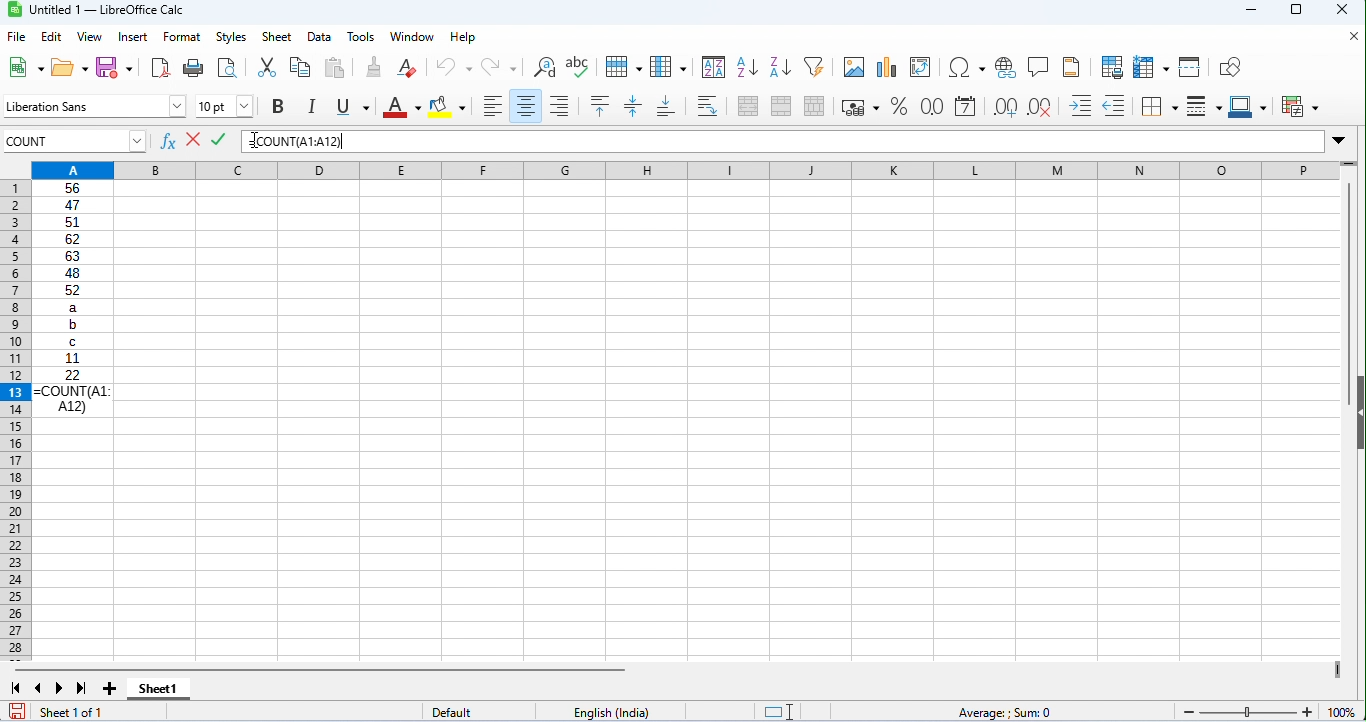  Describe the element at coordinates (73, 341) in the screenshot. I see `C` at that location.